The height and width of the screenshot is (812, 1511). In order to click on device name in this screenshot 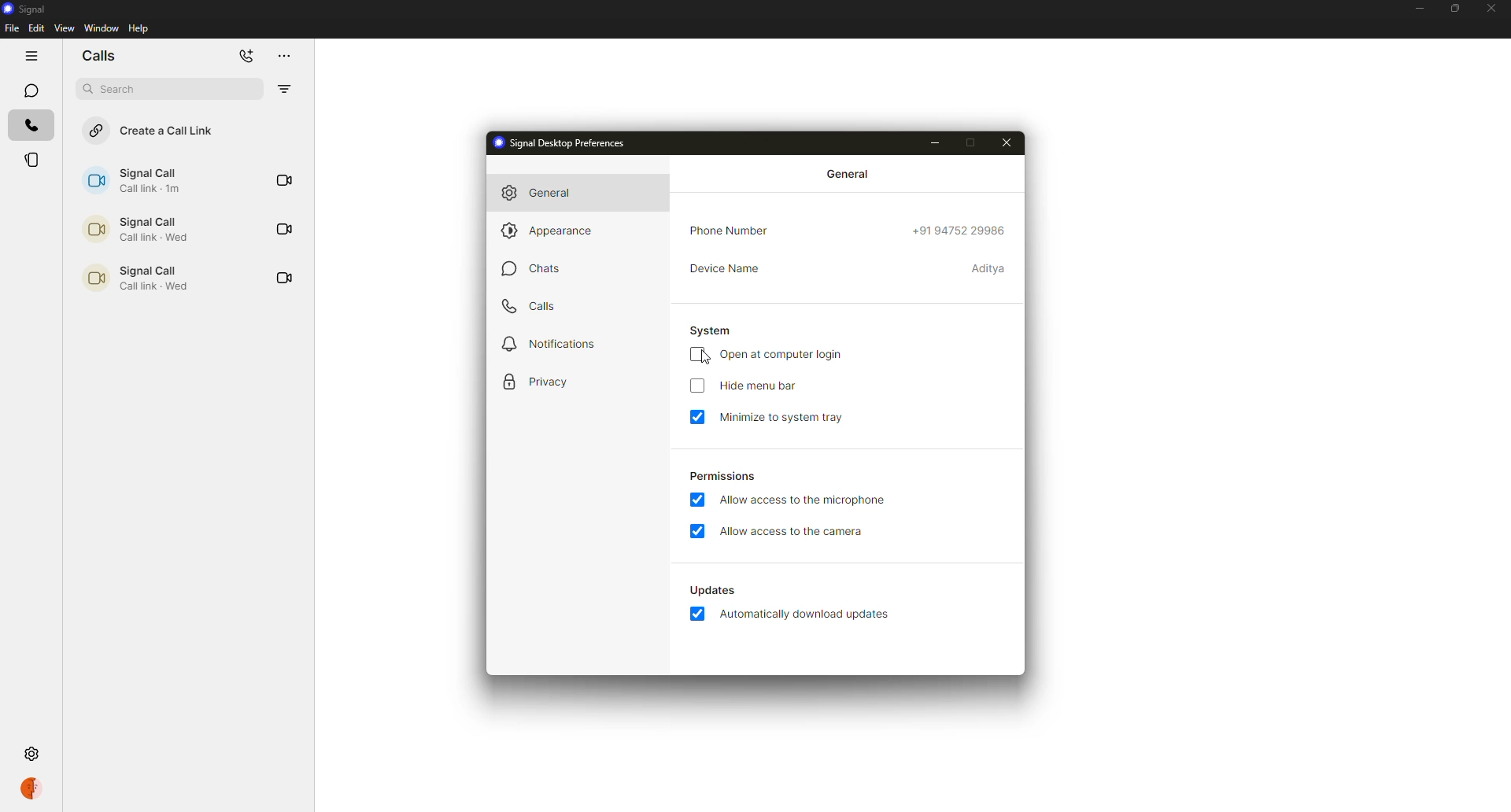, I will do `click(726, 268)`.